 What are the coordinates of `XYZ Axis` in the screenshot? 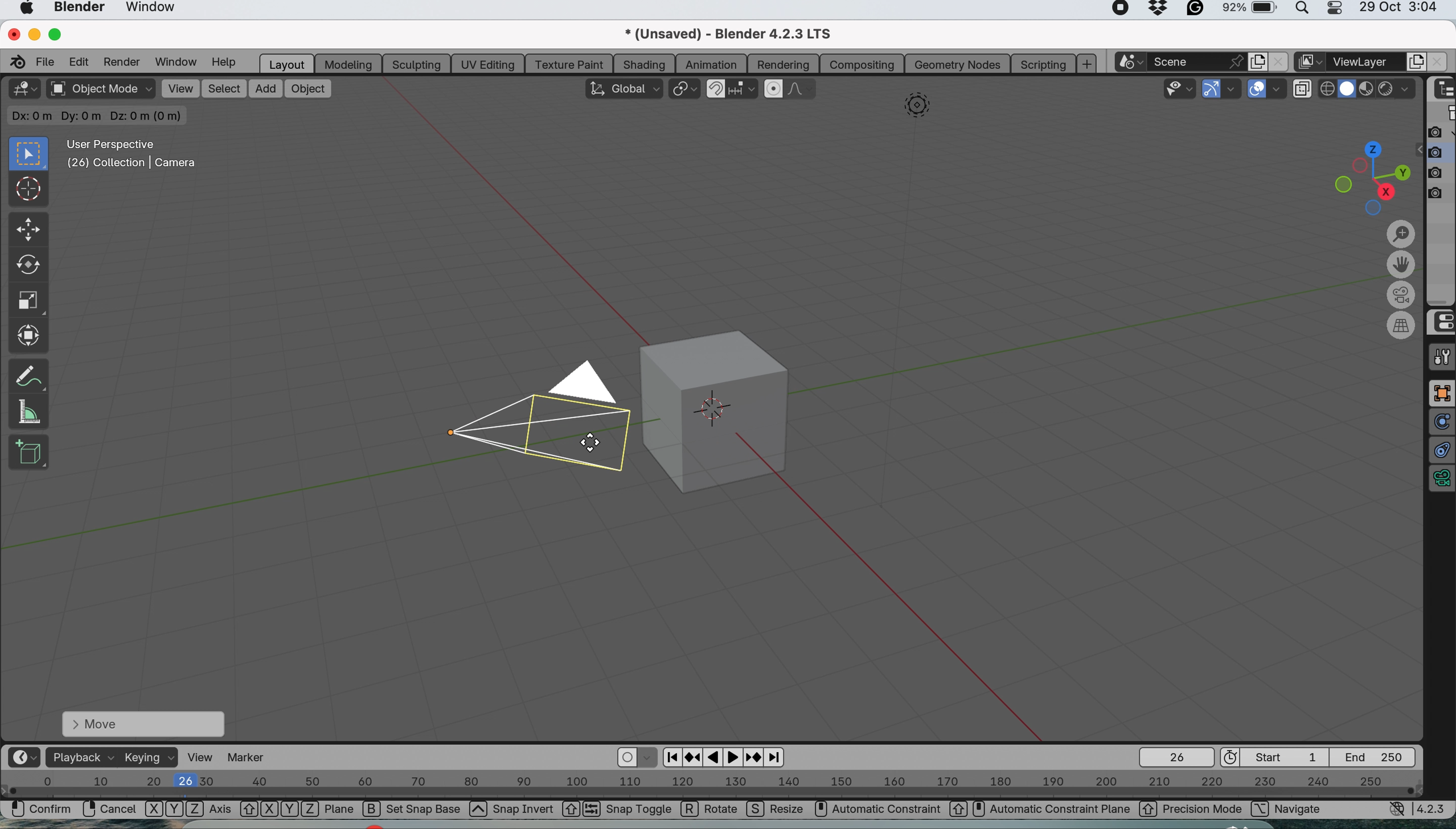 It's located at (188, 811).